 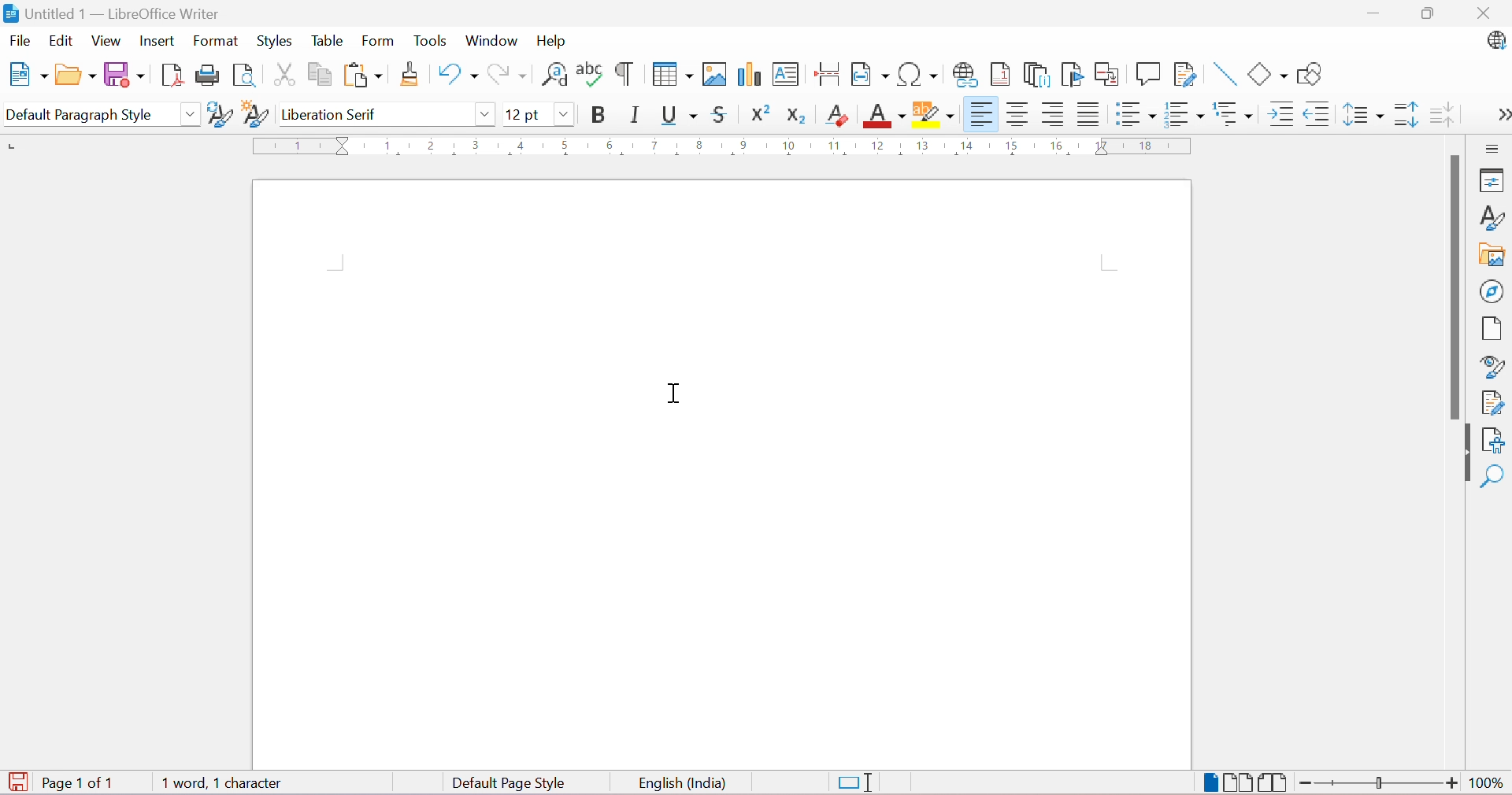 What do you see at coordinates (672, 74) in the screenshot?
I see `Insert Table` at bounding box center [672, 74].